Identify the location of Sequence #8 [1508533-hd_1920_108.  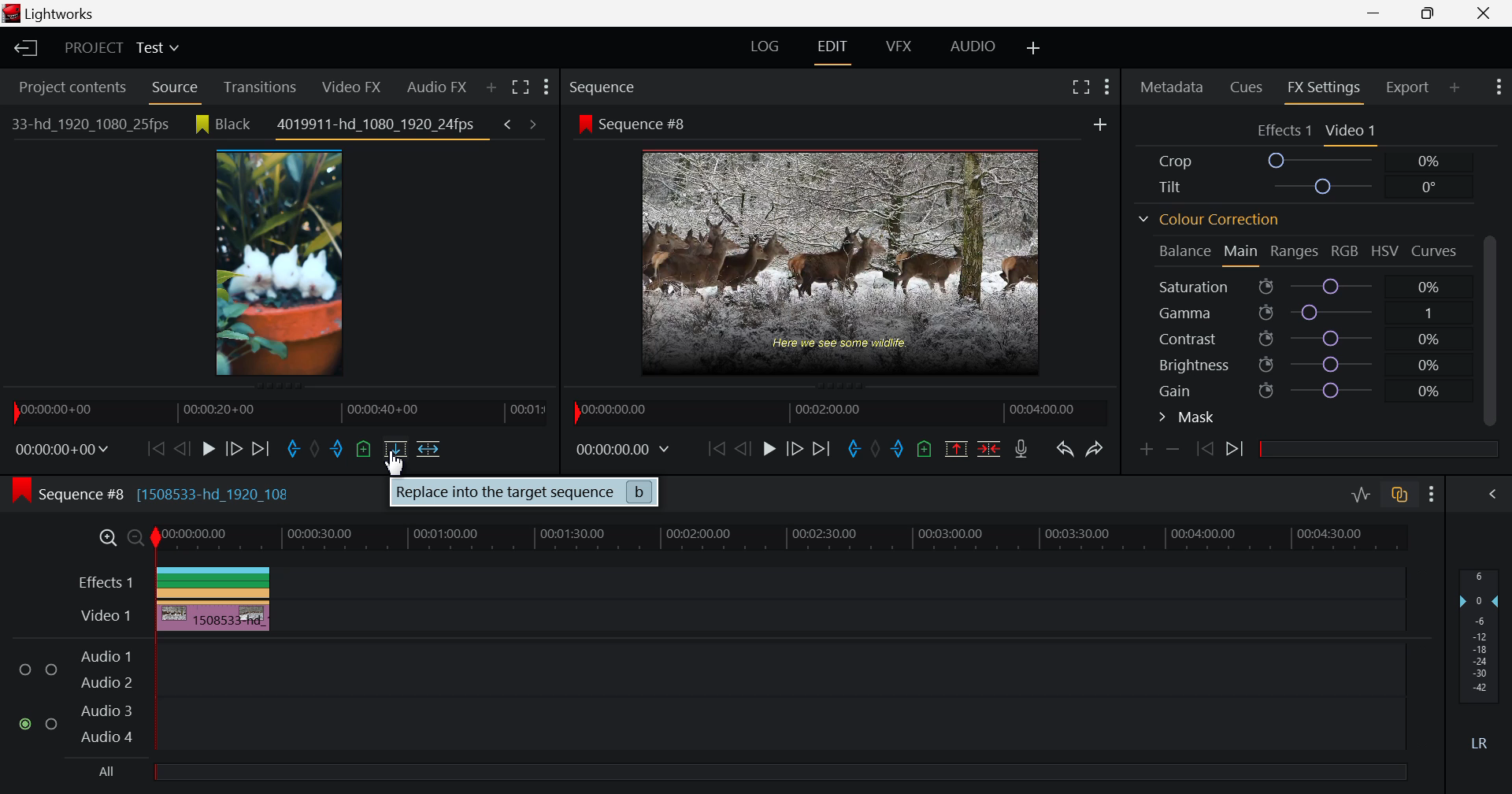
(169, 493).